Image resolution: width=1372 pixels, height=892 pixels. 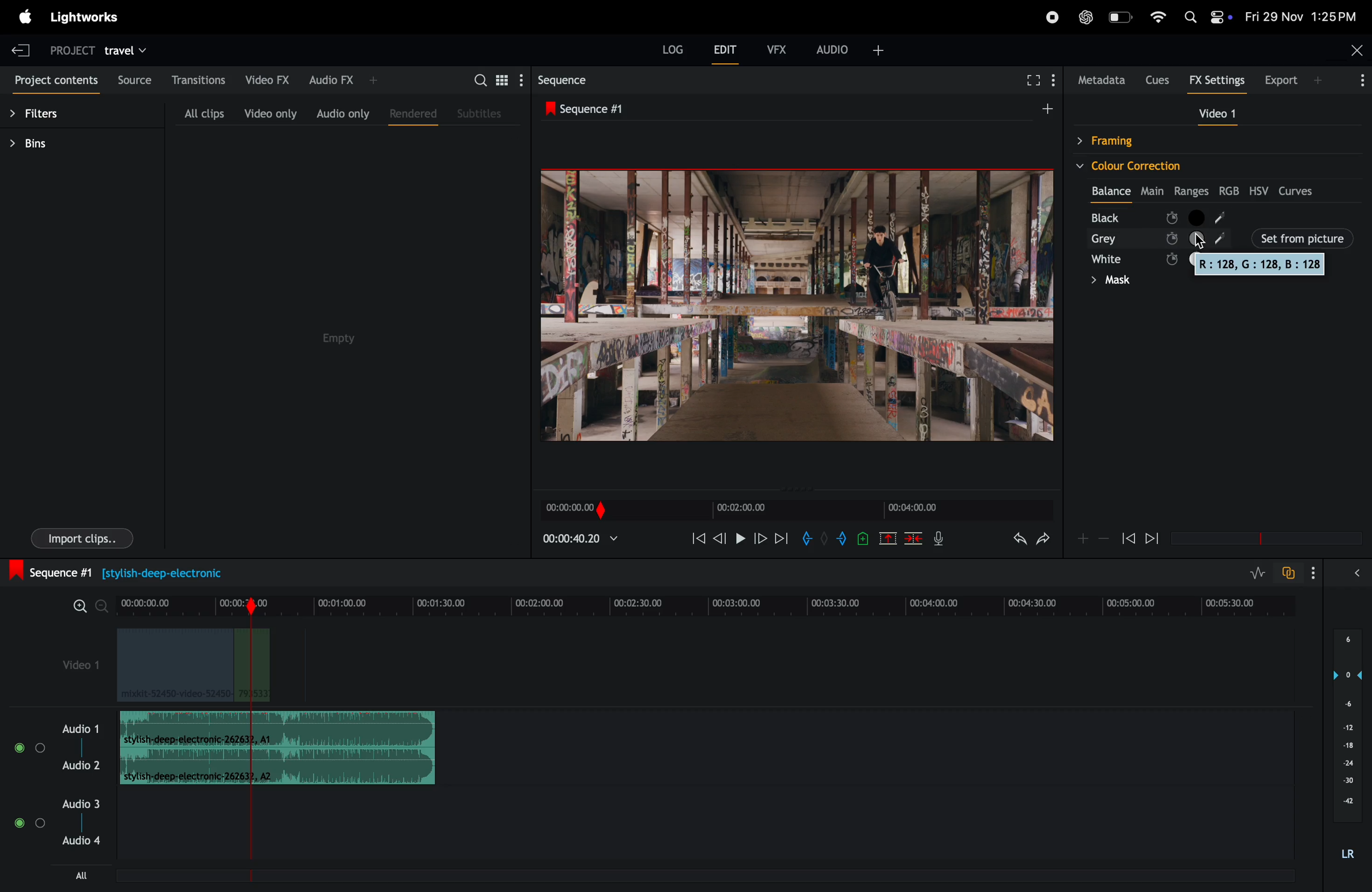 I want to click on metadata, so click(x=1099, y=80).